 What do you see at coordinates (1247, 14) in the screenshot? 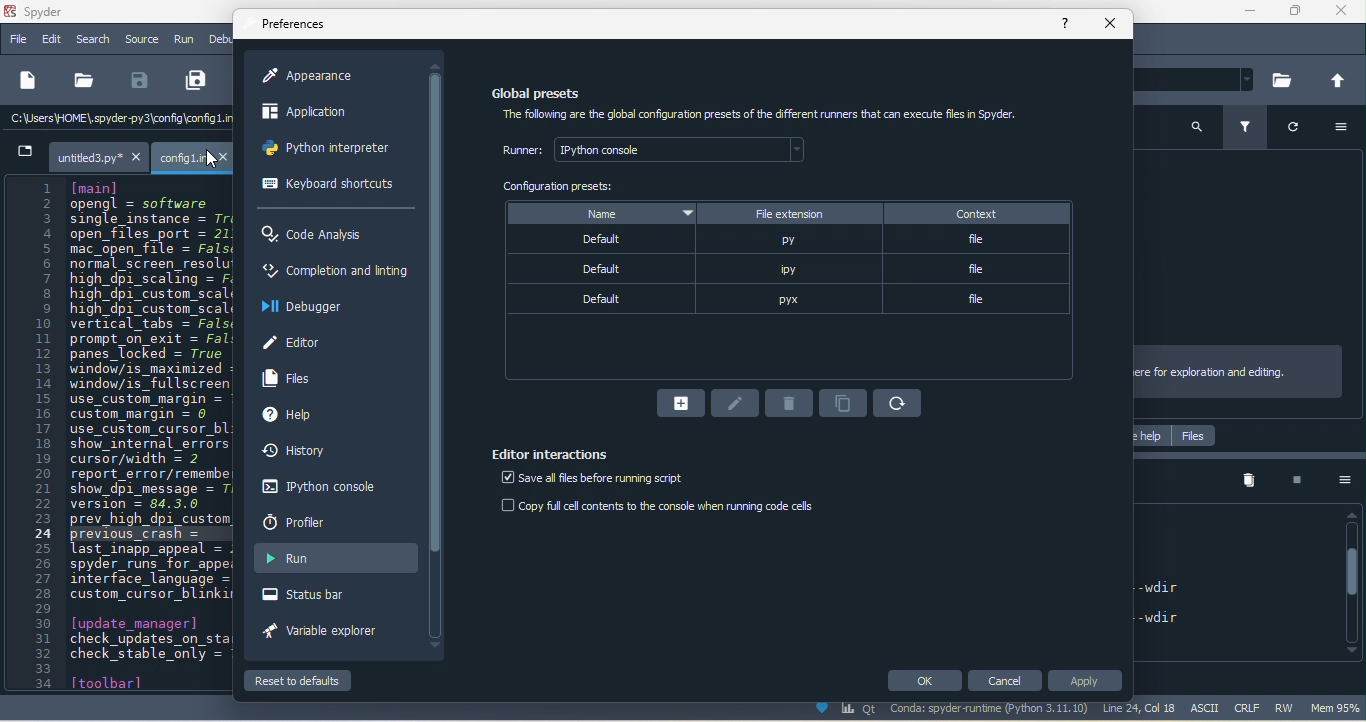
I see `minimize` at bounding box center [1247, 14].